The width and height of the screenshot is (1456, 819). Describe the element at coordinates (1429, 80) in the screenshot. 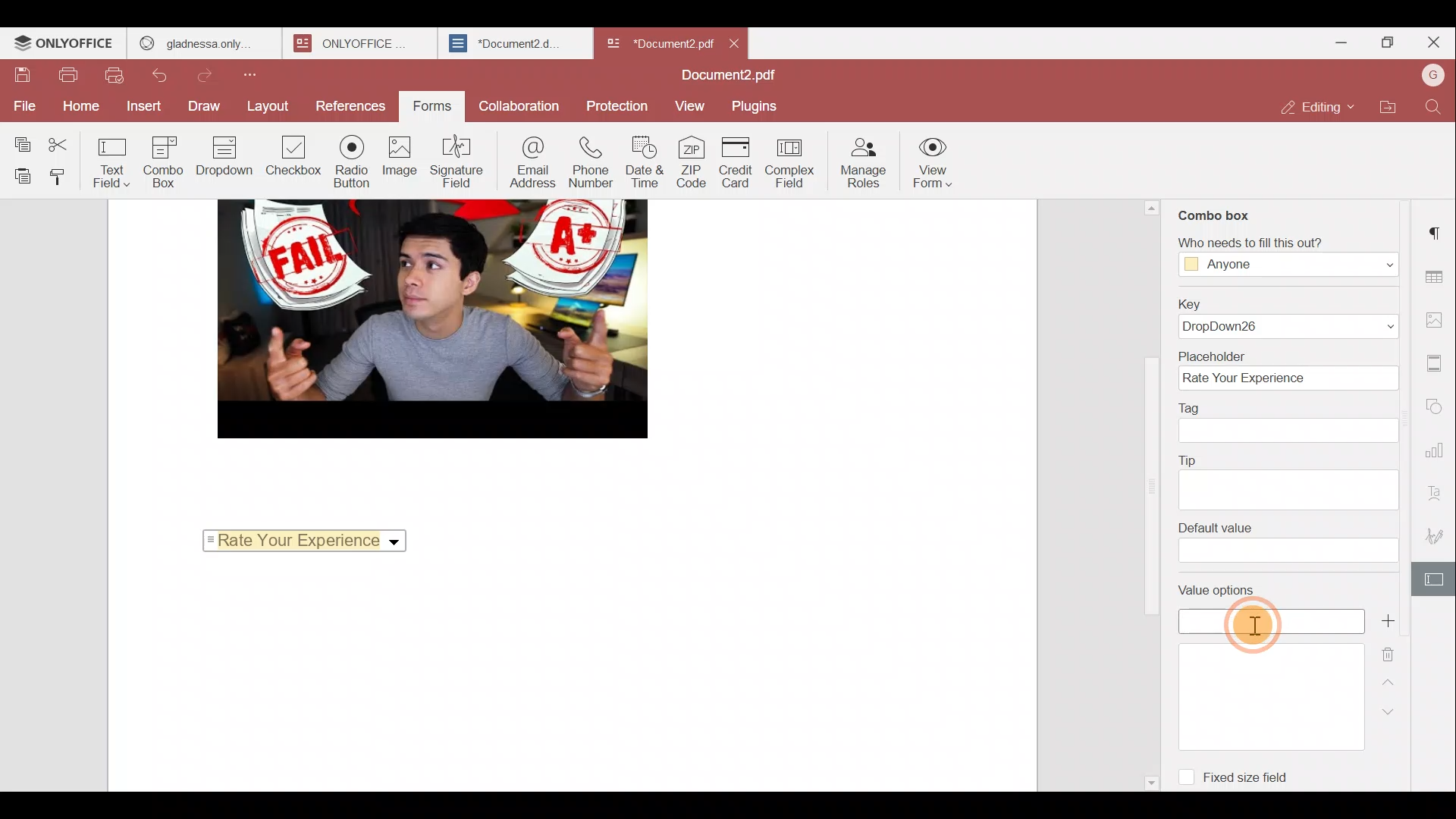

I see `Account name` at that location.